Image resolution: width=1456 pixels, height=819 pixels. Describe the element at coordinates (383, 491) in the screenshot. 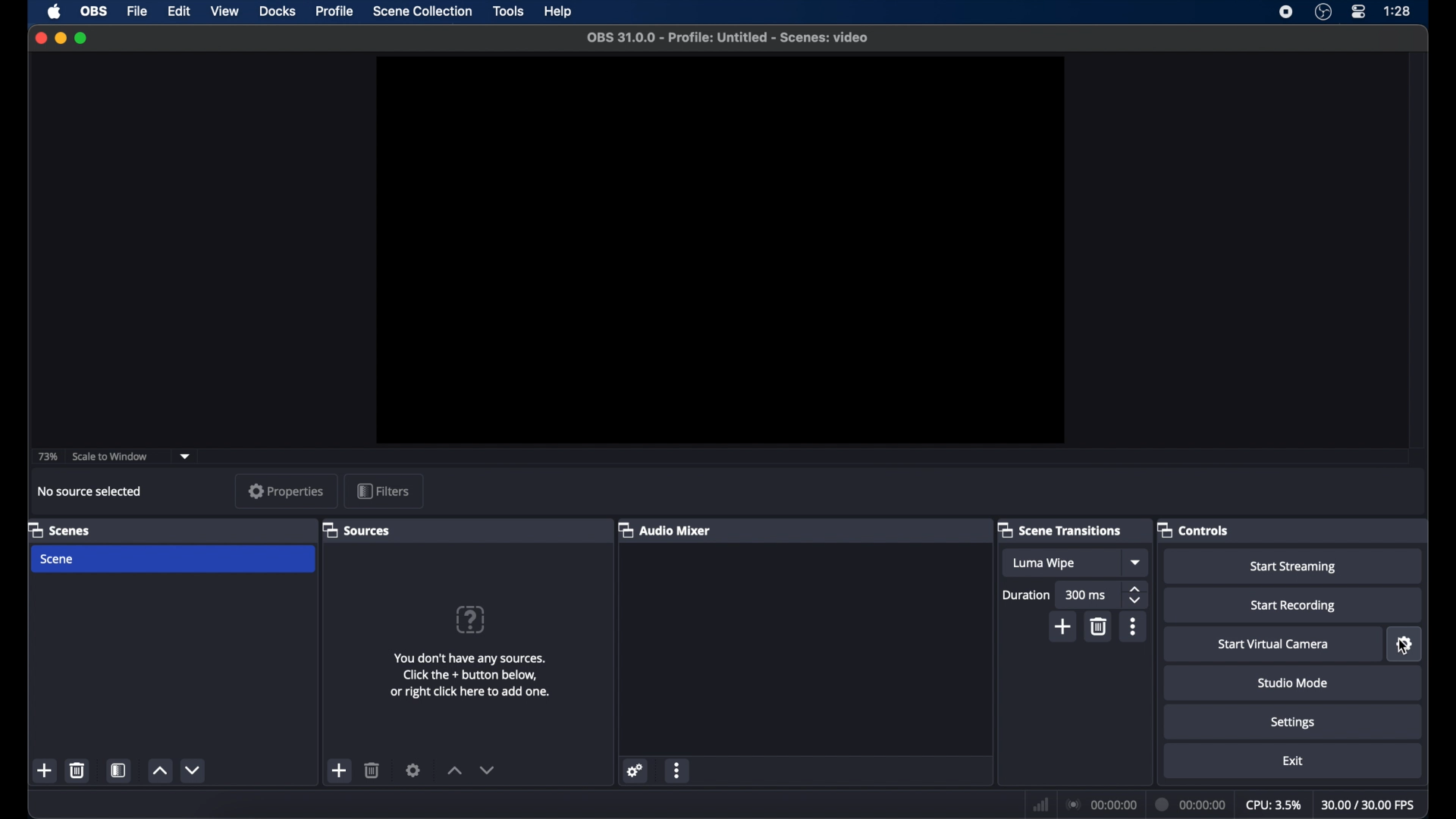

I see `filters` at that location.